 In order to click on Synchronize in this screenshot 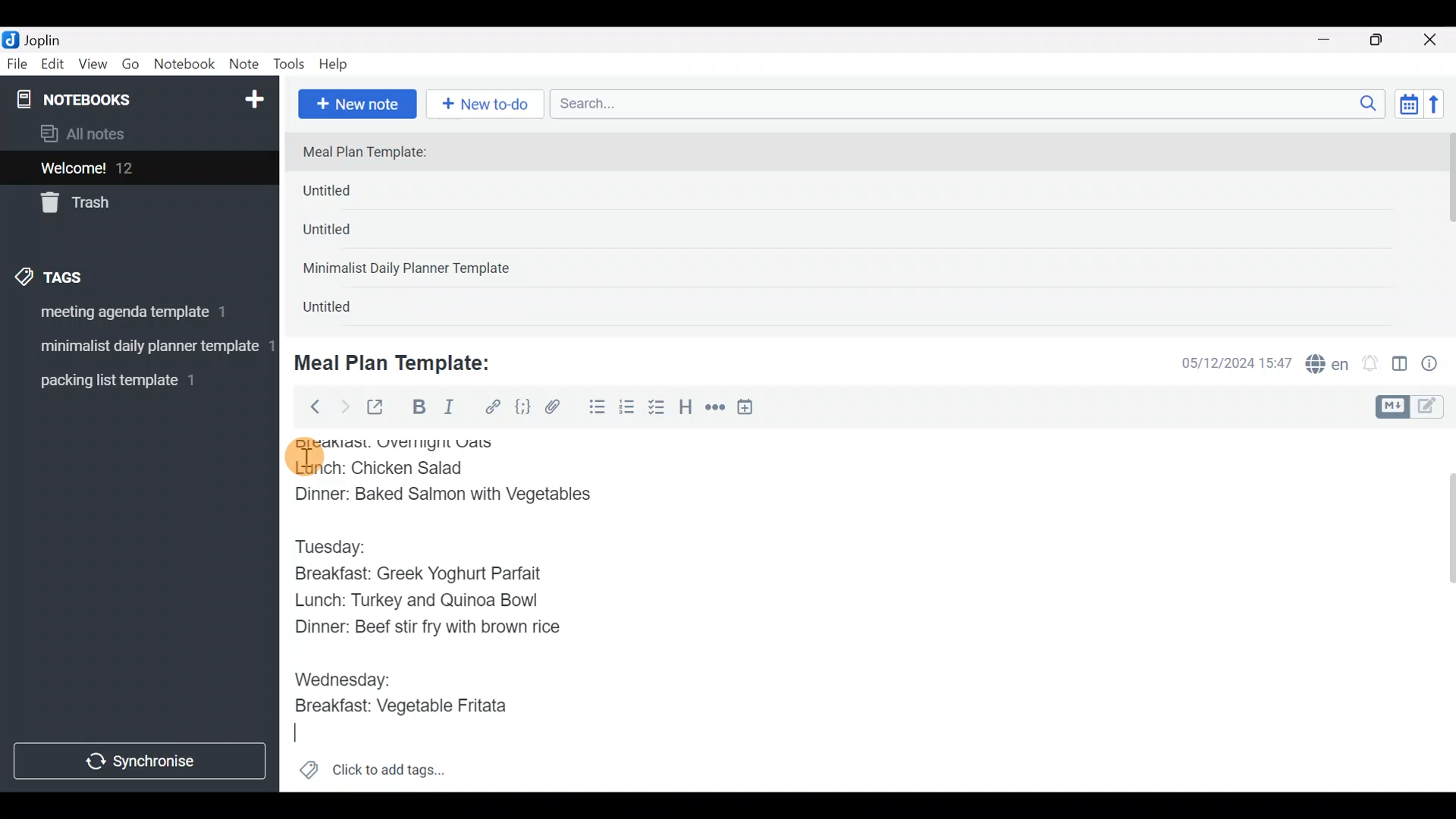, I will do `click(142, 761)`.